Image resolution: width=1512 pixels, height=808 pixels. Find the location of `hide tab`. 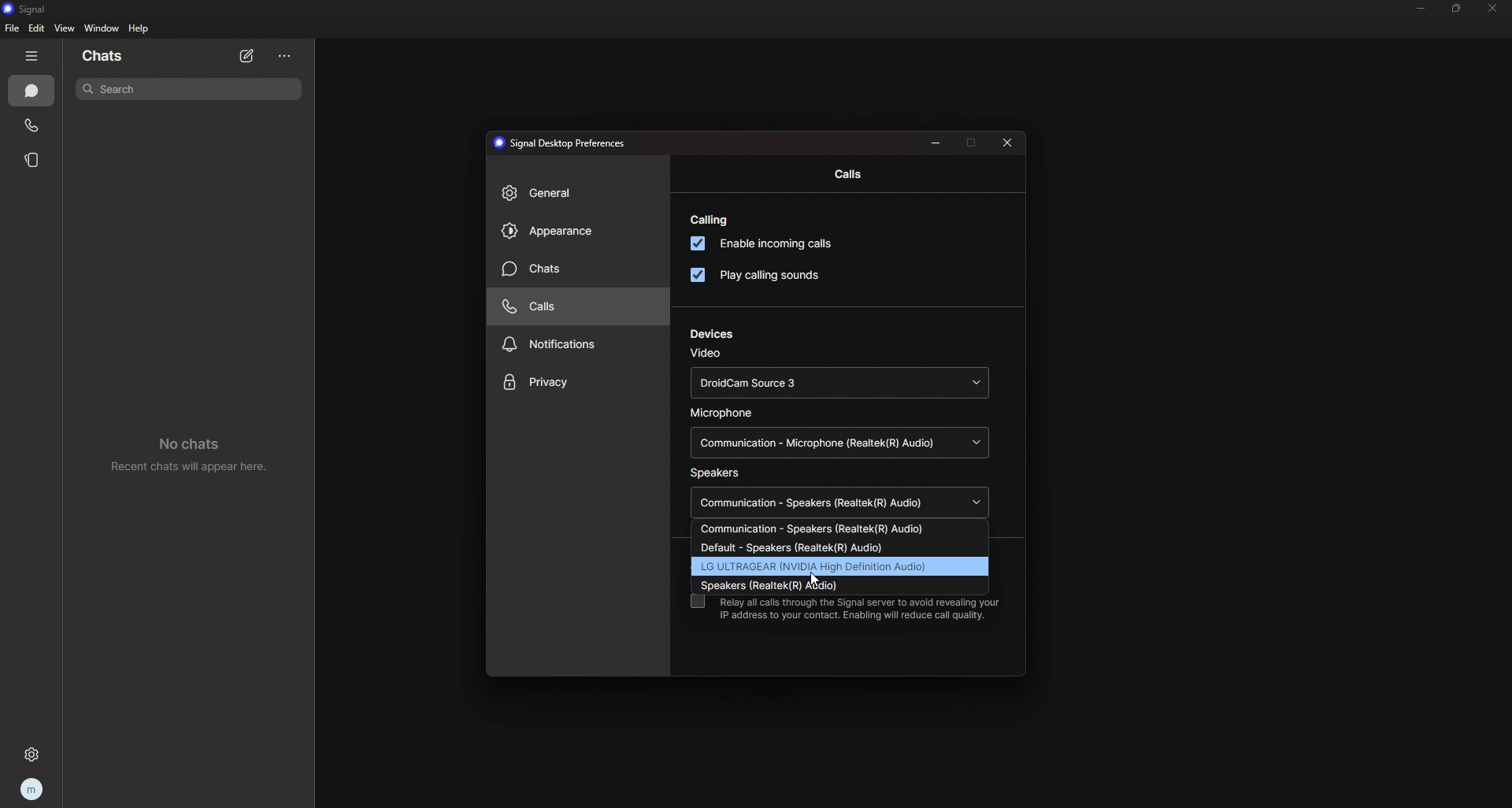

hide tab is located at coordinates (33, 56).